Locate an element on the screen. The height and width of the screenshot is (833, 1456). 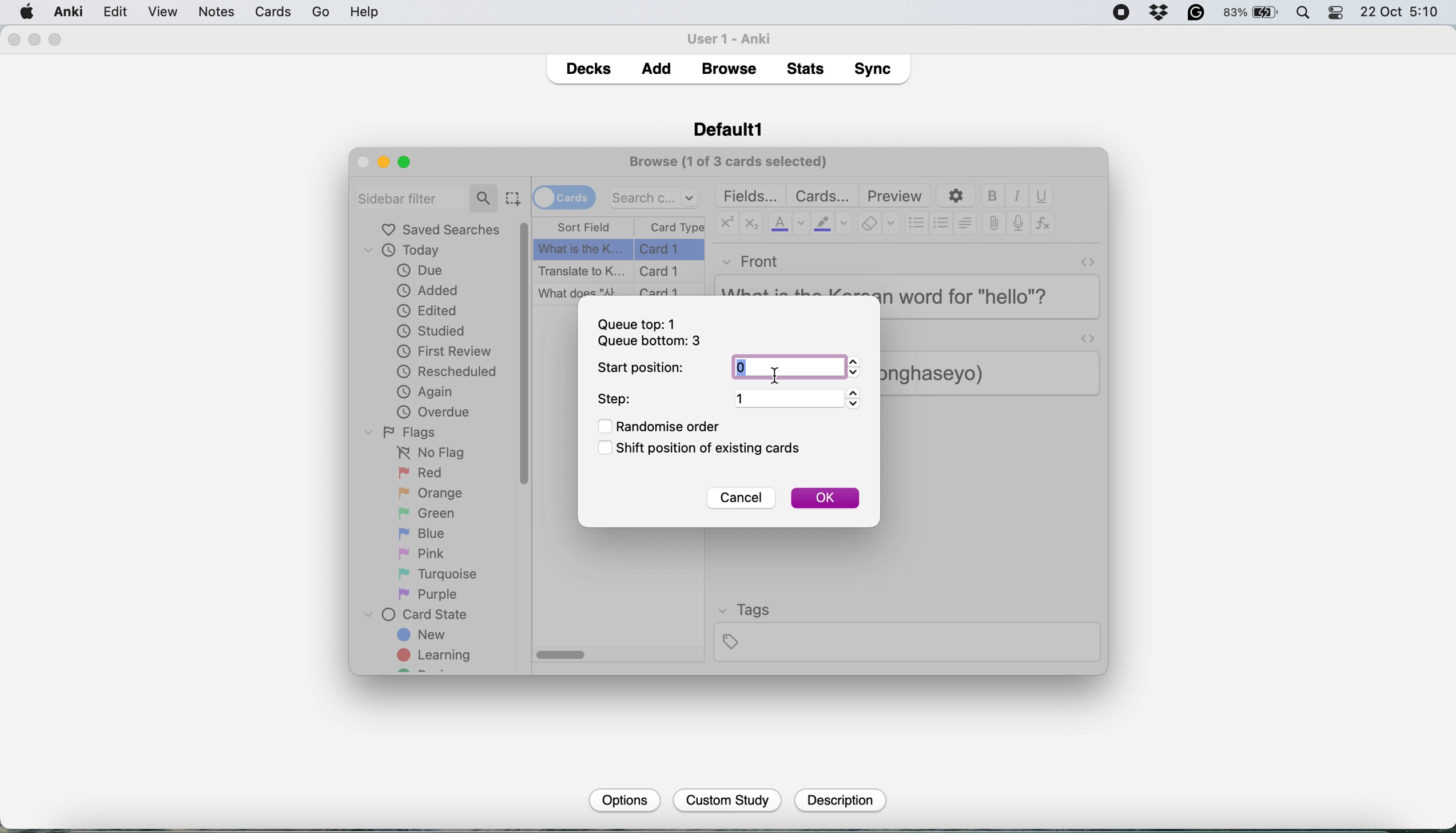
maximise is located at coordinates (409, 161).